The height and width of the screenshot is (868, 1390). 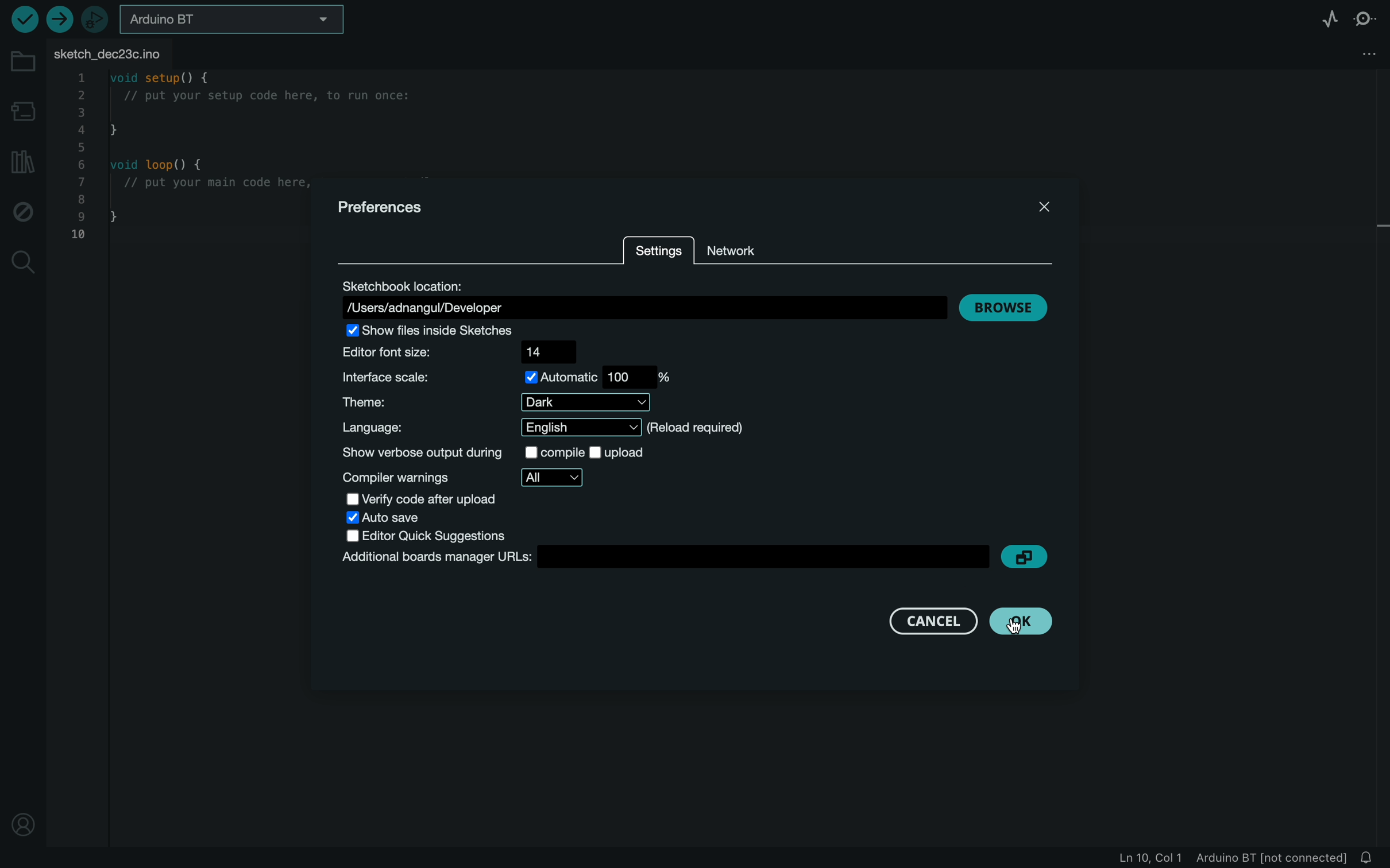 I want to click on verify, so click(x=25, y=20).